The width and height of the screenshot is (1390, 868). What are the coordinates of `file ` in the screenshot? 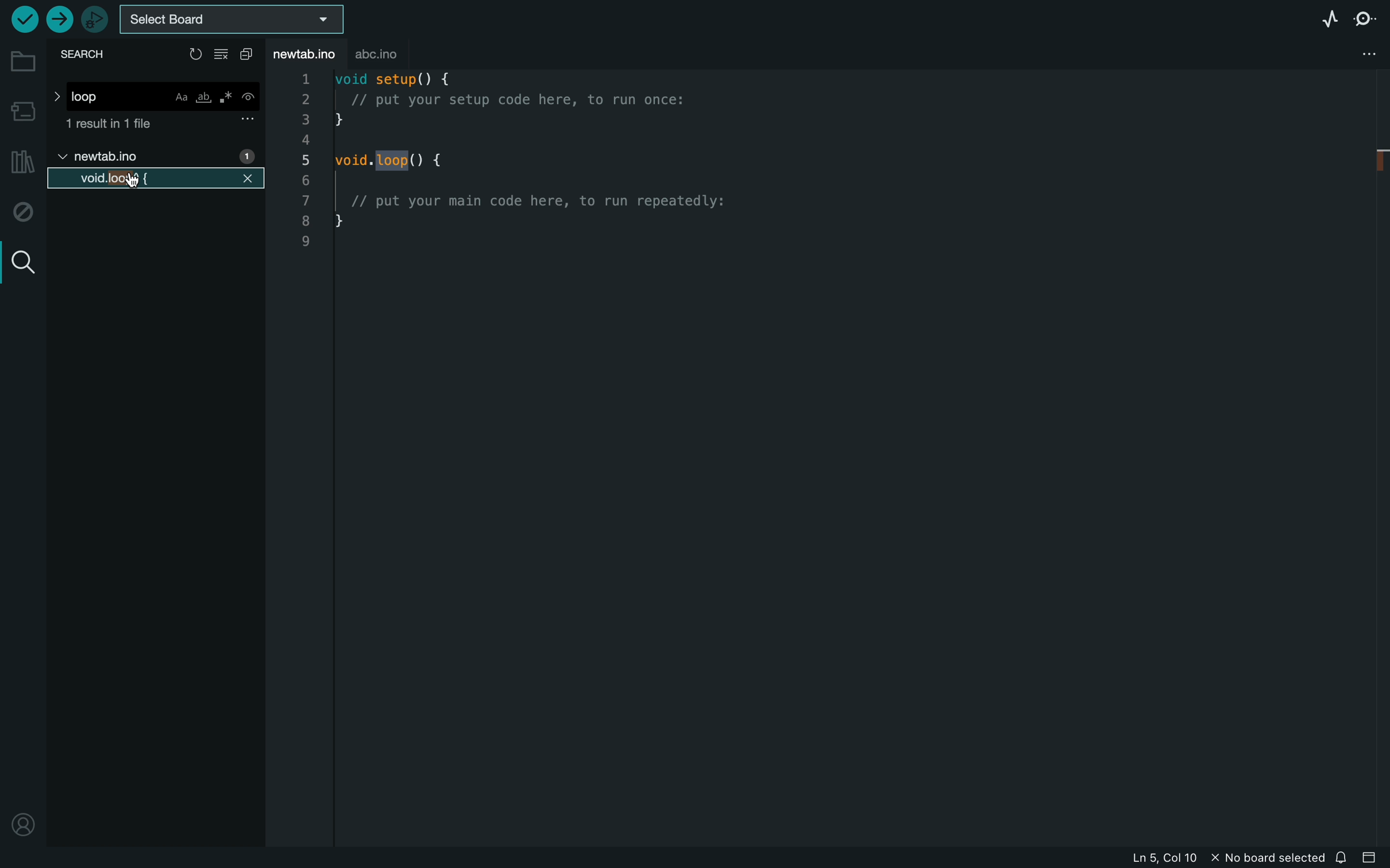 It's located at (103, 158).